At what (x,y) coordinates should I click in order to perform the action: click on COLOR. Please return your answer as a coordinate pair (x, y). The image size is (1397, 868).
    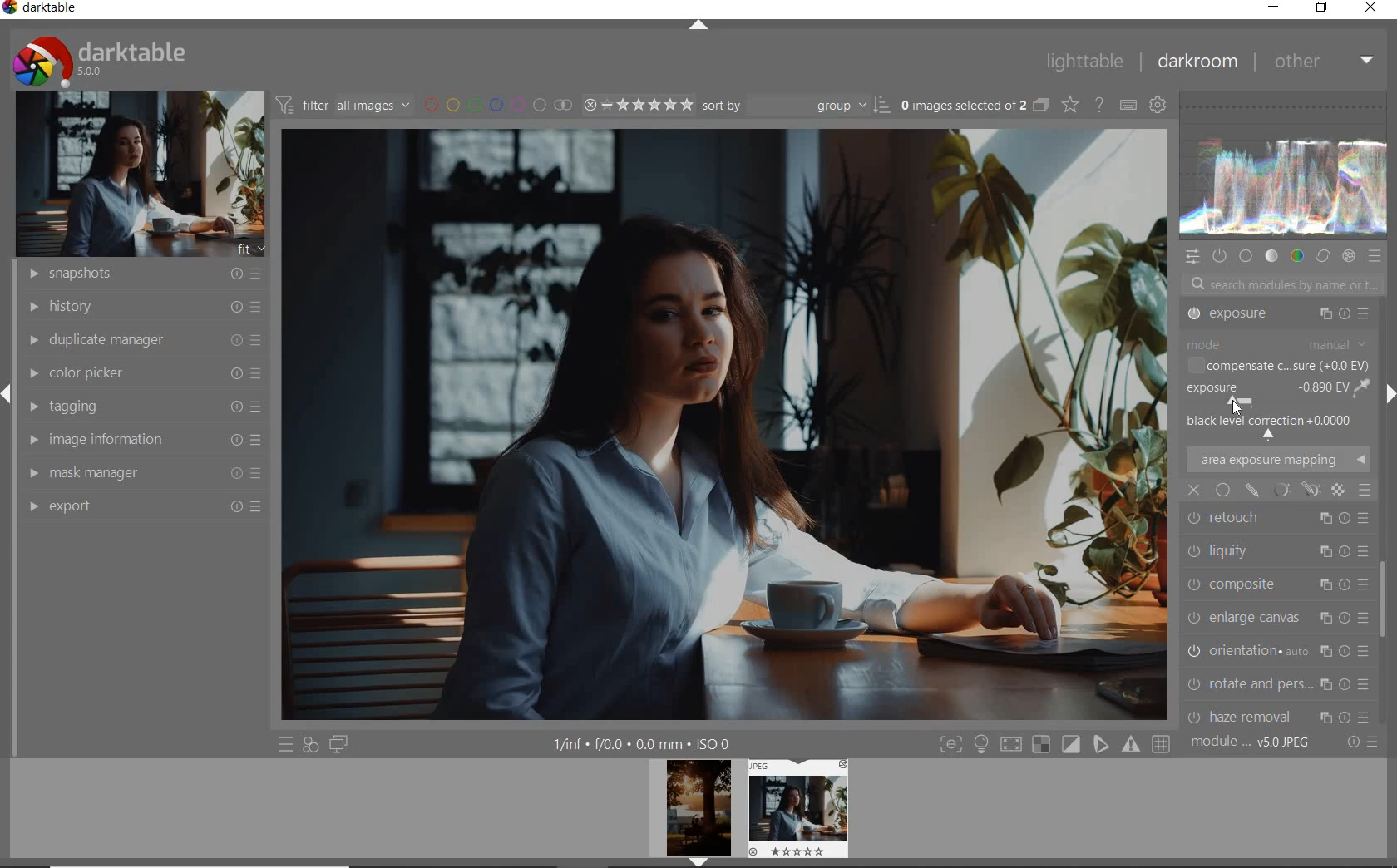
    Looking at the image, I should click on (1296, 257).